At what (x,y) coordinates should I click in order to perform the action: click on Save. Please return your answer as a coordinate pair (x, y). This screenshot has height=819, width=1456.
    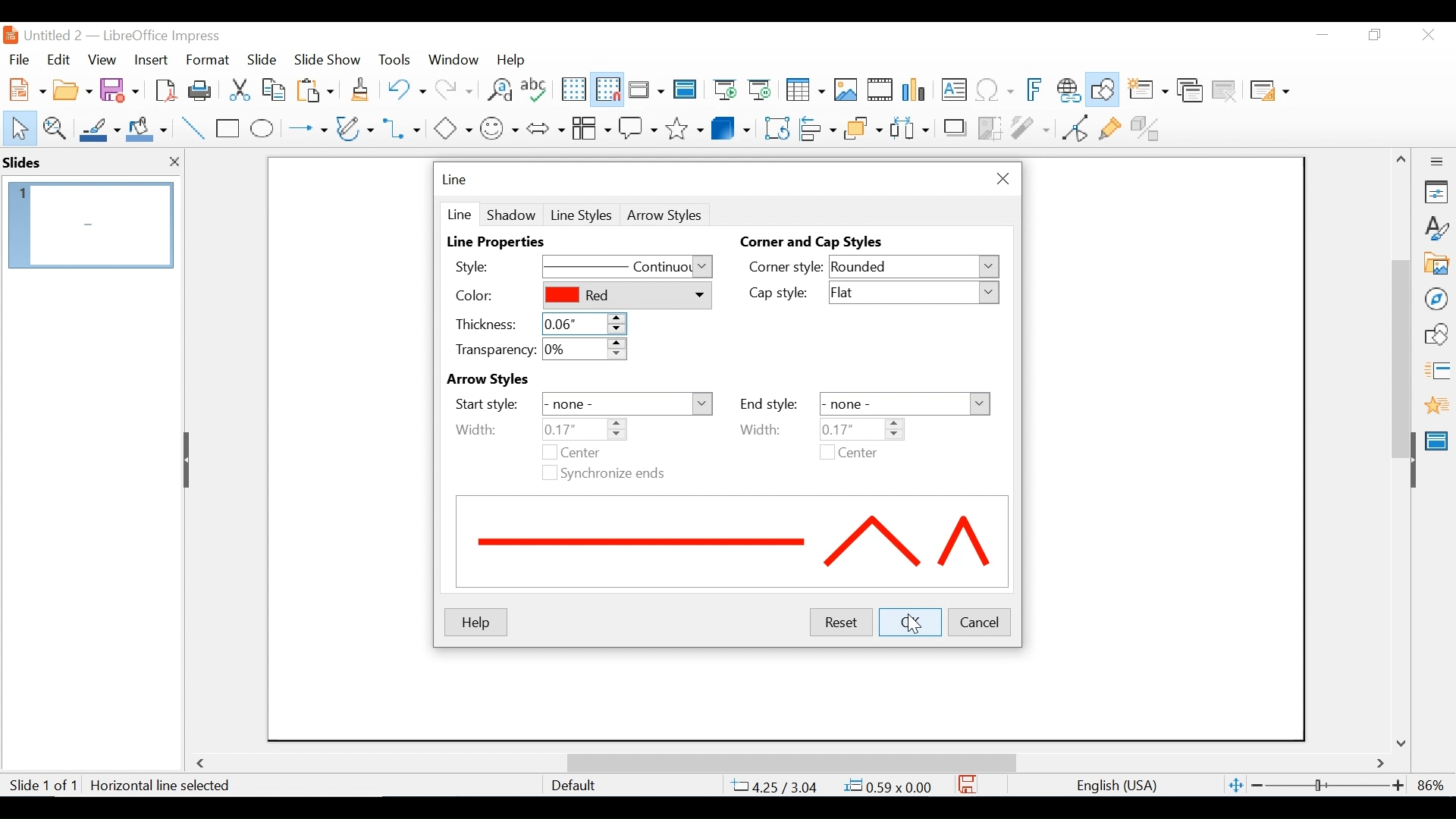
    Looking at the image, I should click on (121, 89).